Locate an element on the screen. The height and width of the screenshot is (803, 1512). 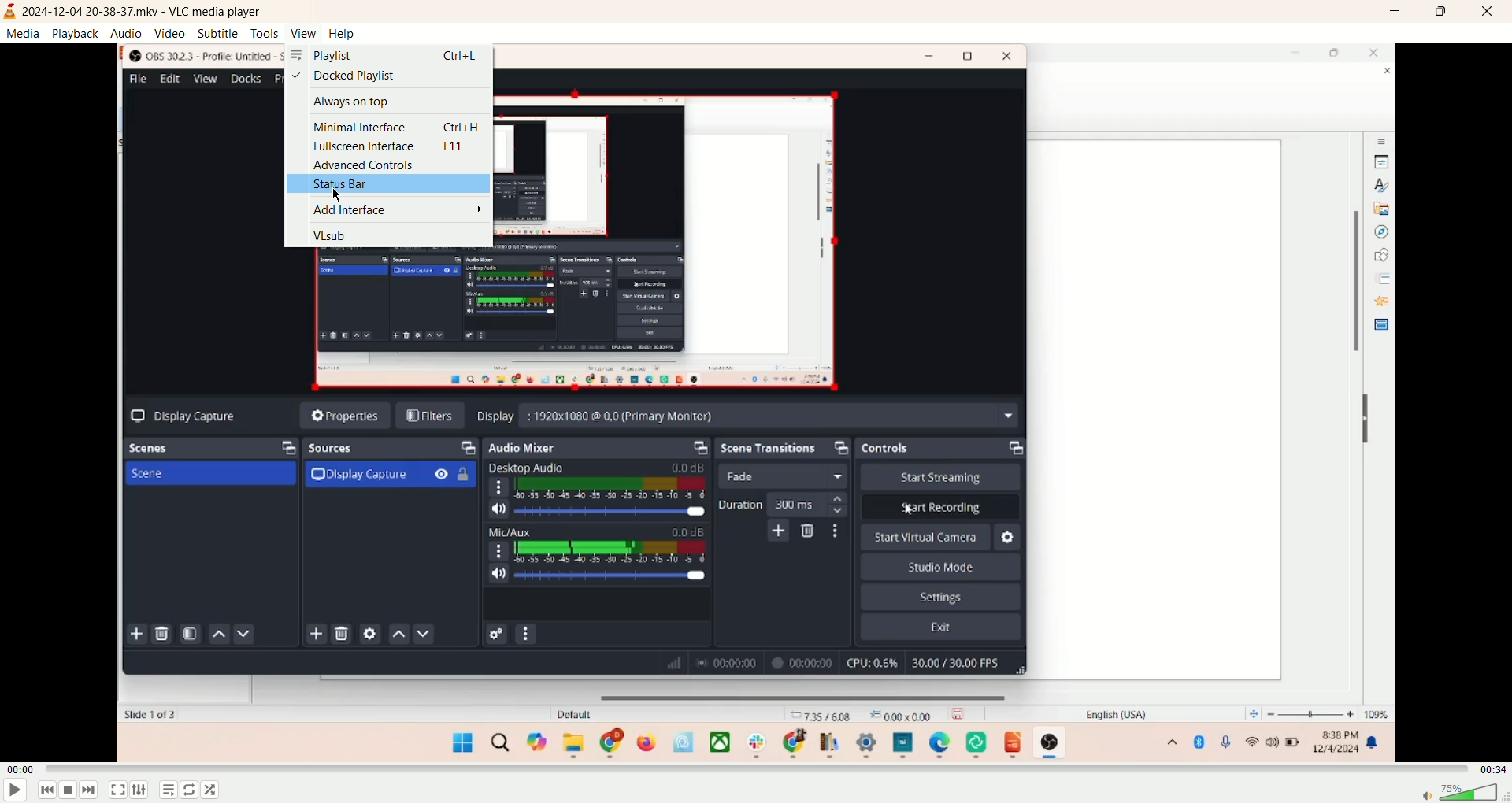
loop is located at coordinates (187, 791).